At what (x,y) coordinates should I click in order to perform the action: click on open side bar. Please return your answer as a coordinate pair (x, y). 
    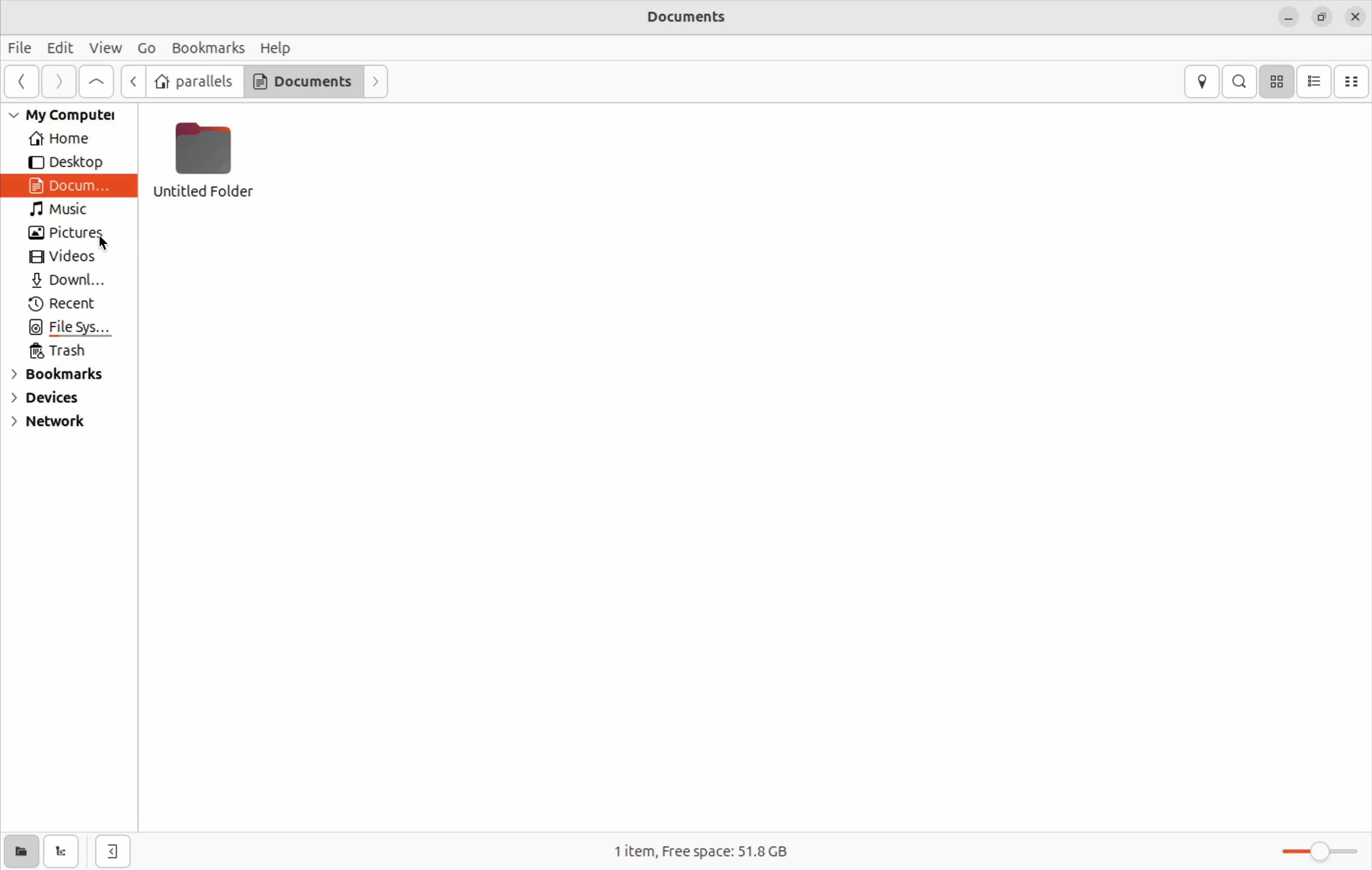
    Looking at the image, I should click on (115, 852).